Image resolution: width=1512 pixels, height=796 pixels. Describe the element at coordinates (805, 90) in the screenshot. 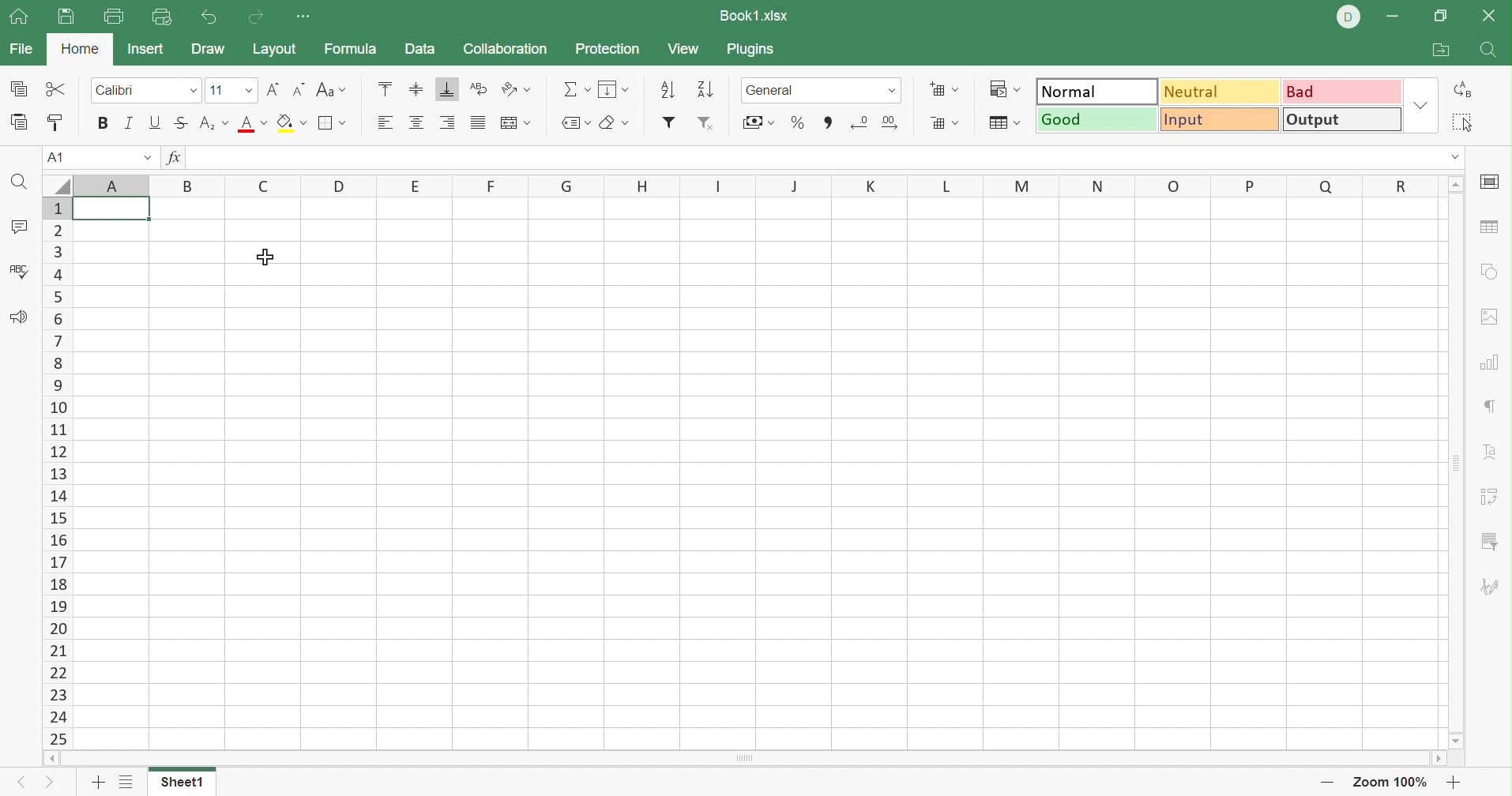

I see `General` at that location.